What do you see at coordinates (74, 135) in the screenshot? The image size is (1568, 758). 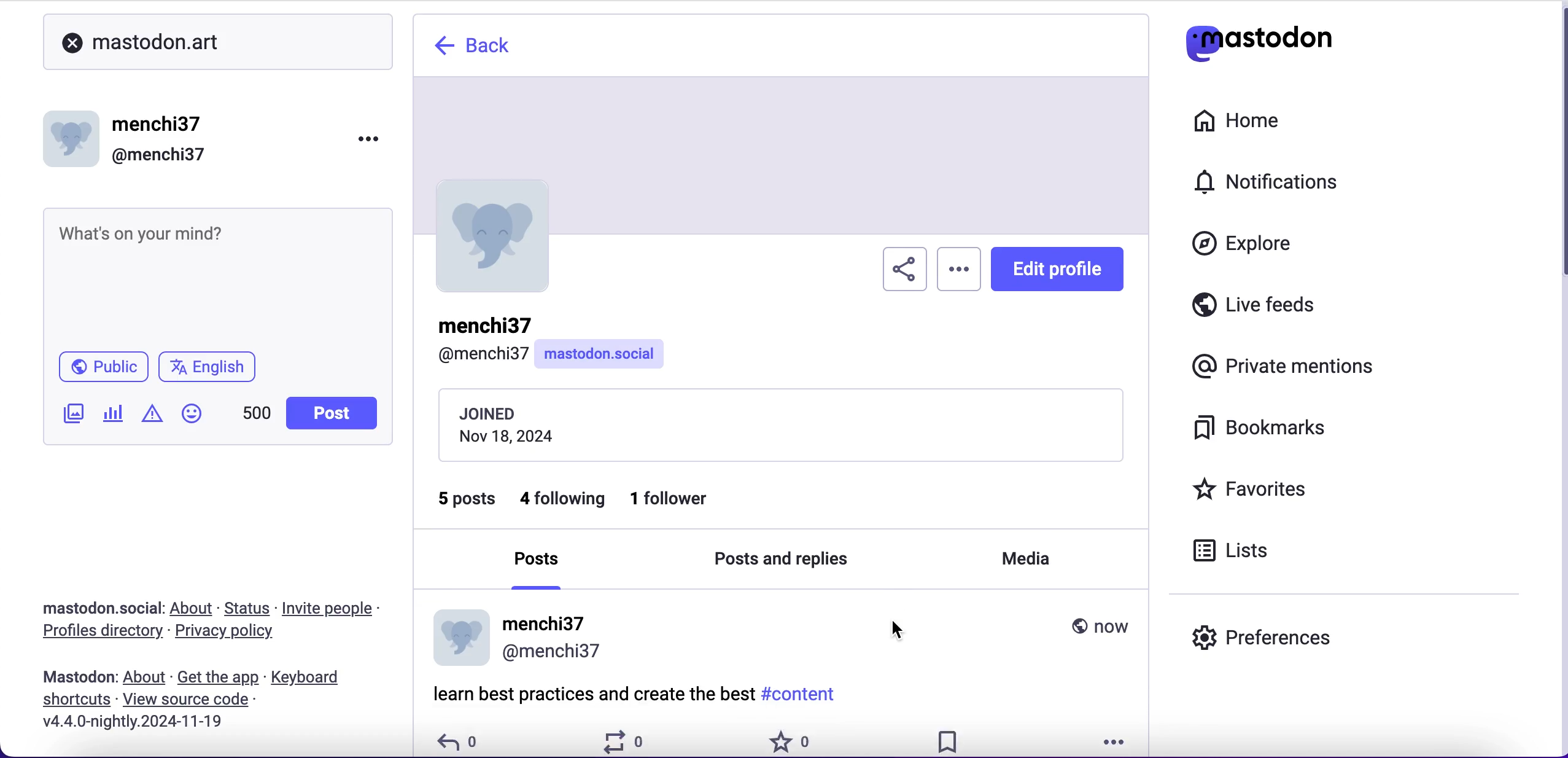 I see `display picture` at bounding box center [74, 135].